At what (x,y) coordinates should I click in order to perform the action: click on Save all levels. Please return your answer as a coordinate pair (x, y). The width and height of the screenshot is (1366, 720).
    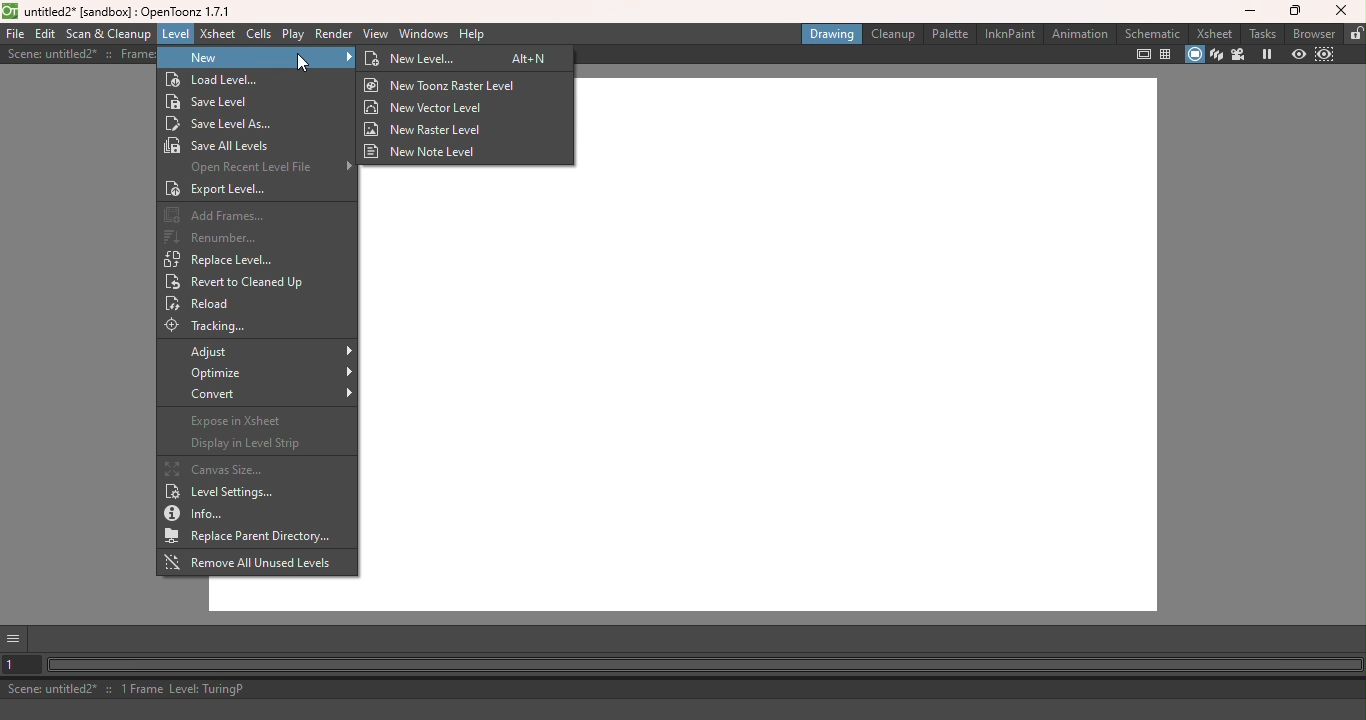
    Looking at the image, I should click on (221, 145).